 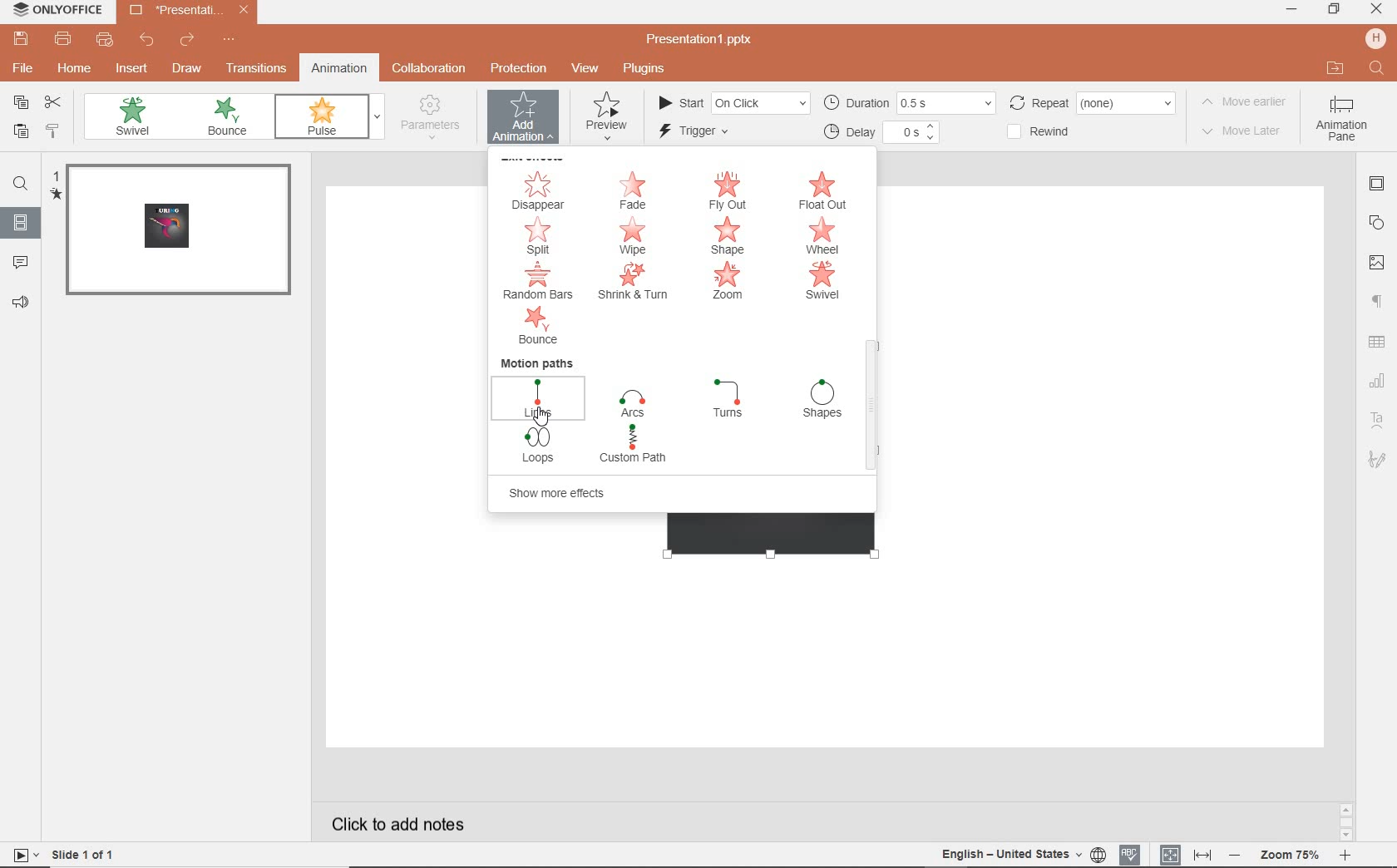 I want to click on draw, so click(x=190, y=70).